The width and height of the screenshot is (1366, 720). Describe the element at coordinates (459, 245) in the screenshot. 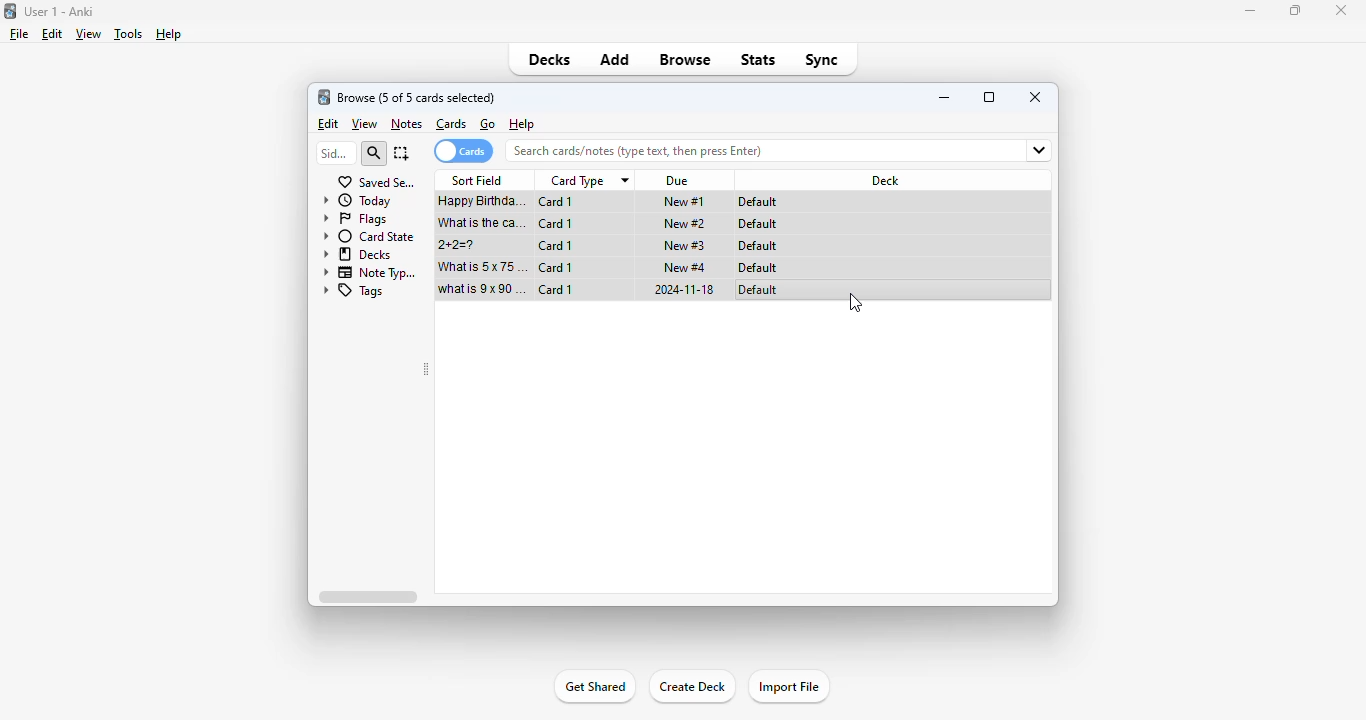

I see `2+2=?` at that location.